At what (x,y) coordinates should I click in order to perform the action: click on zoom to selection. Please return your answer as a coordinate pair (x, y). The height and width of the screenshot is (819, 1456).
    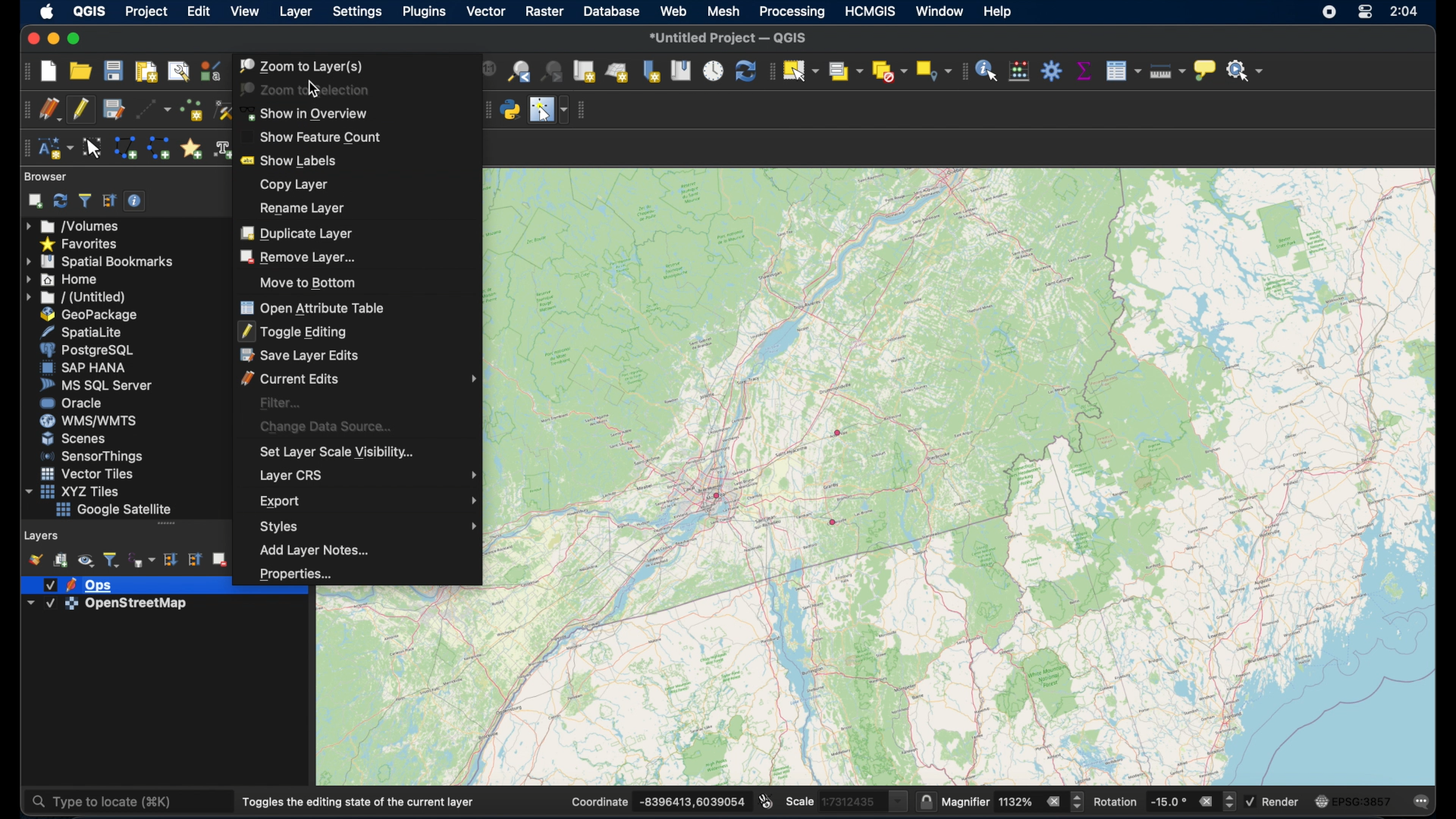
    Looking at the image, I should click on (308, 89).